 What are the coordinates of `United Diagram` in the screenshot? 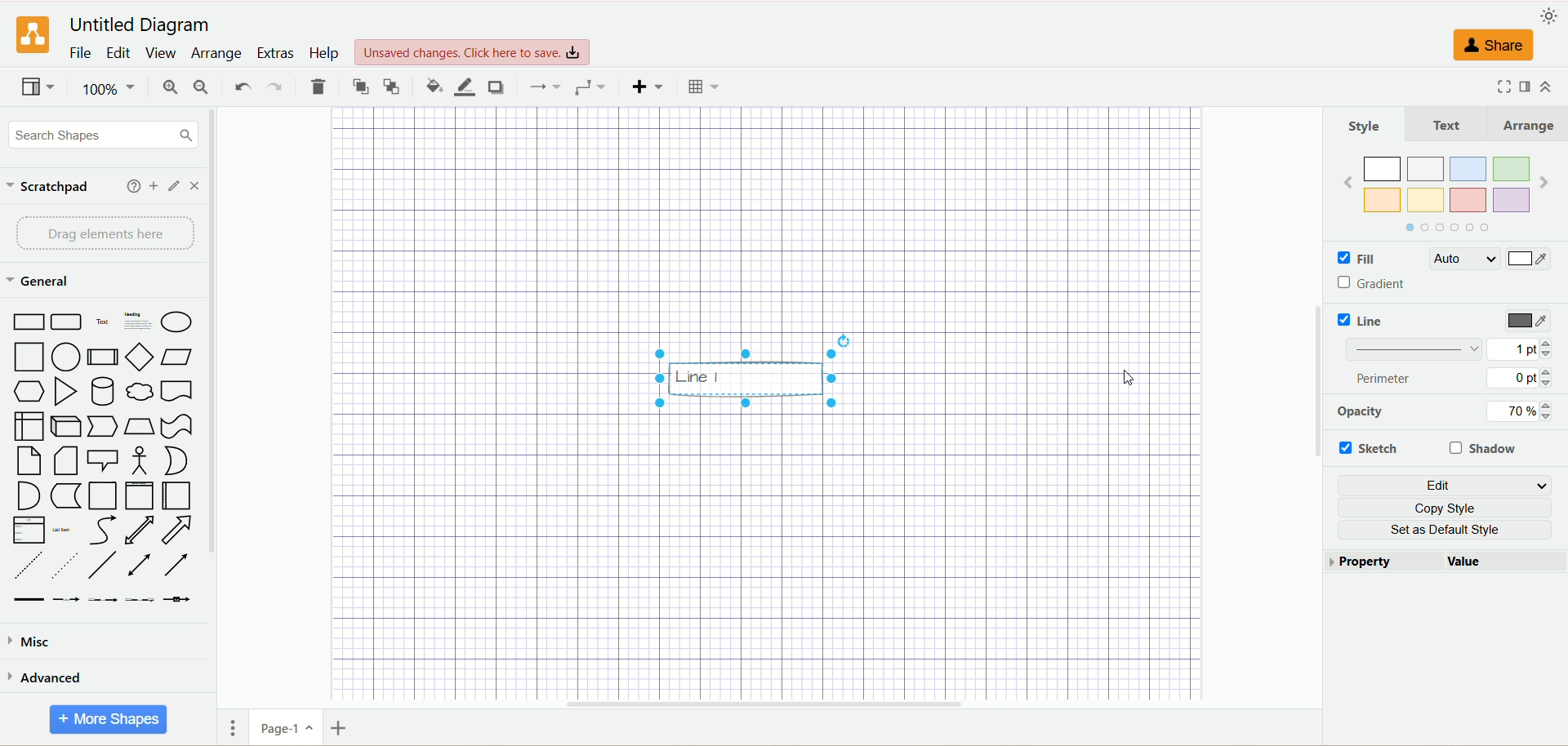 It's located at (140, 25).